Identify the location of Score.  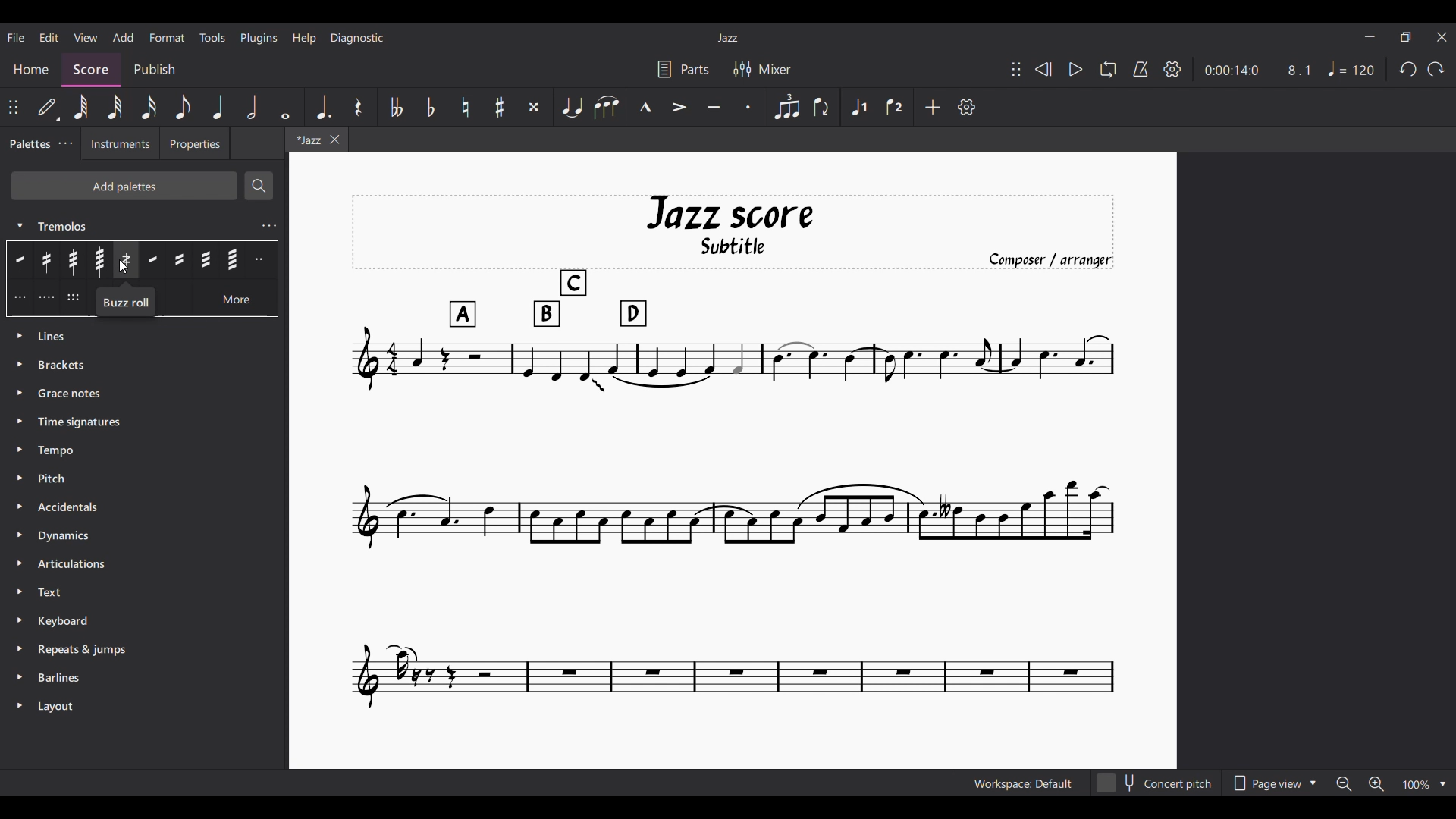
(91, 70).